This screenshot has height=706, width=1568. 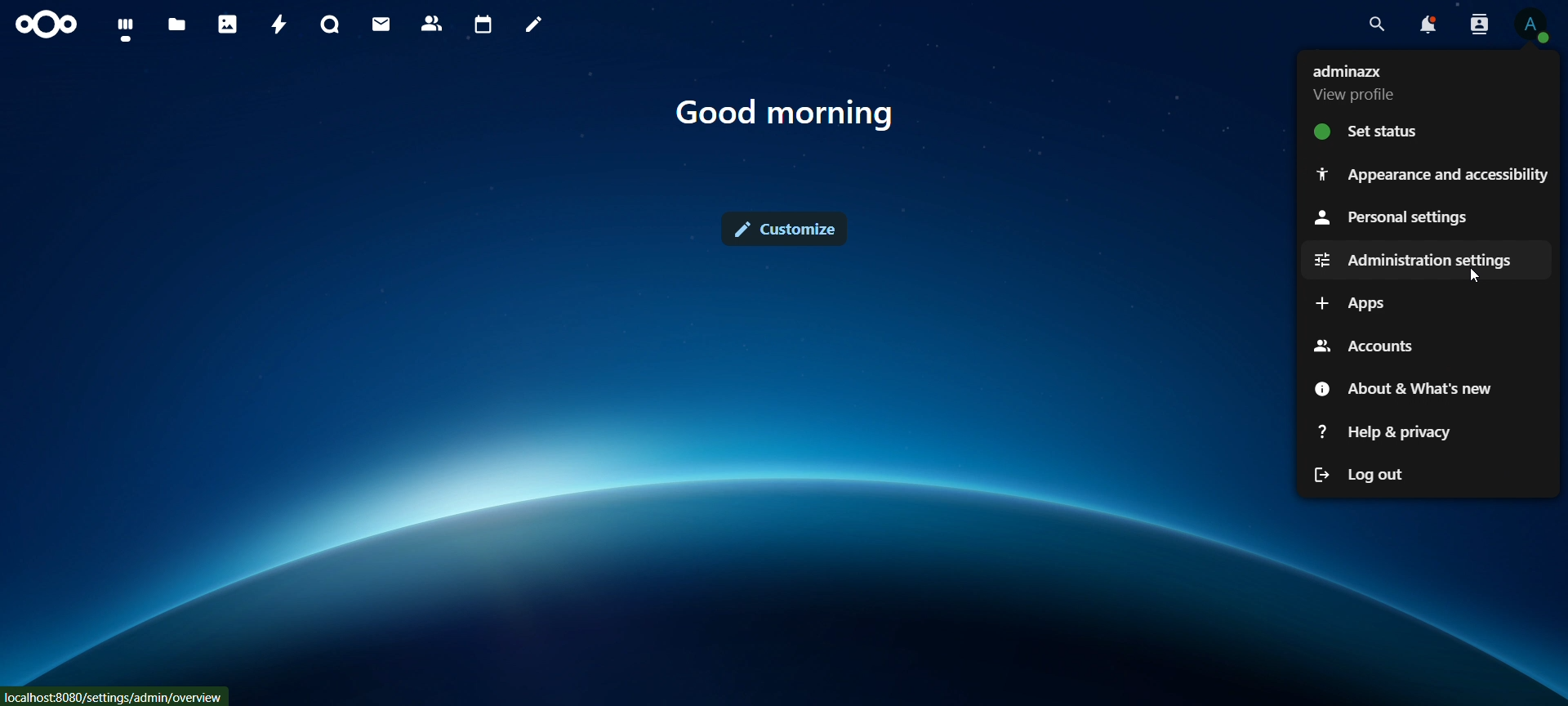 I want to click on accounts, so click(x=1365, y=346).